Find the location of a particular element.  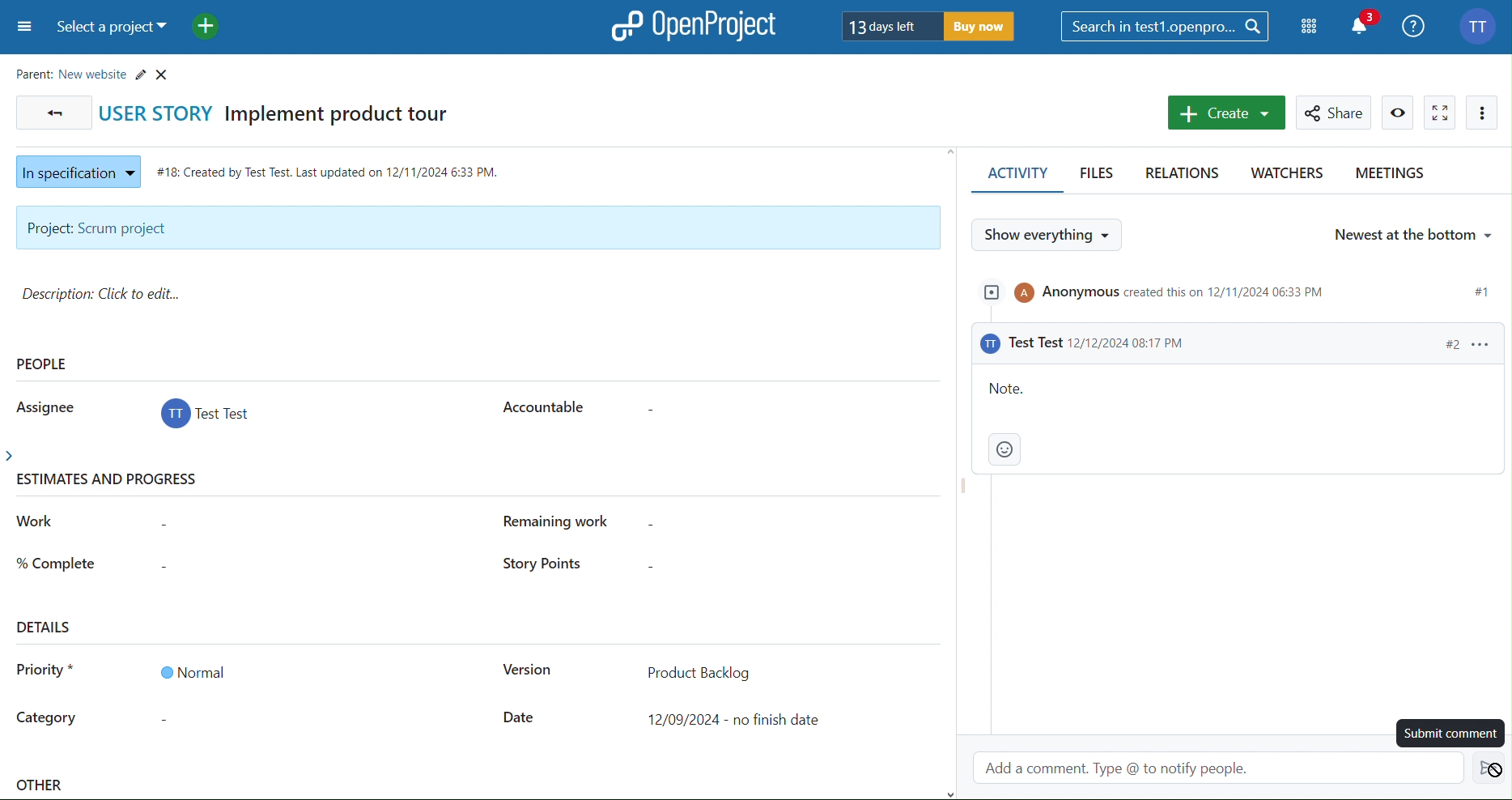

View is located at coordinates (1399, 113).